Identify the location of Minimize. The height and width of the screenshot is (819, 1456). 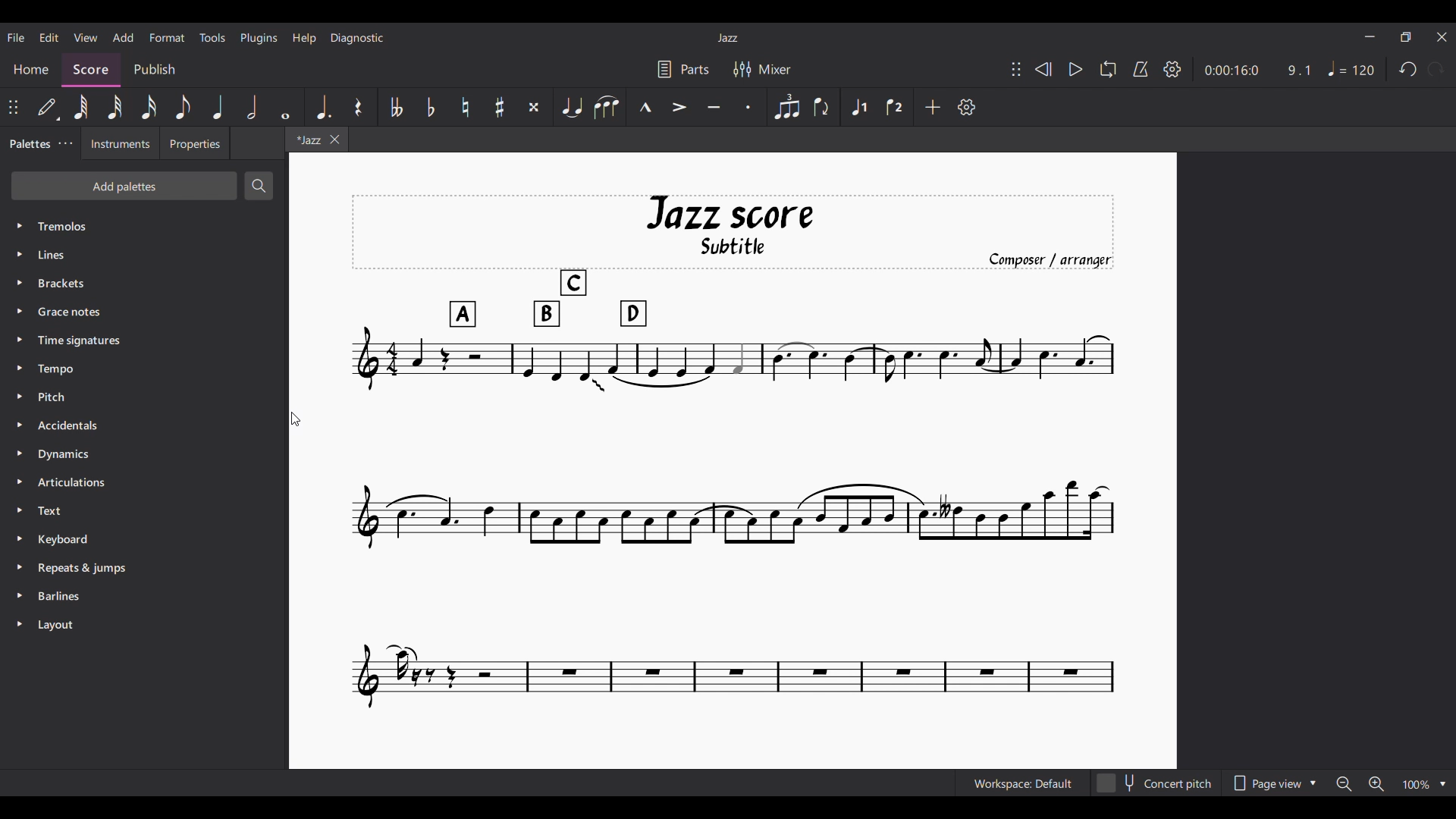
(1370, 36).